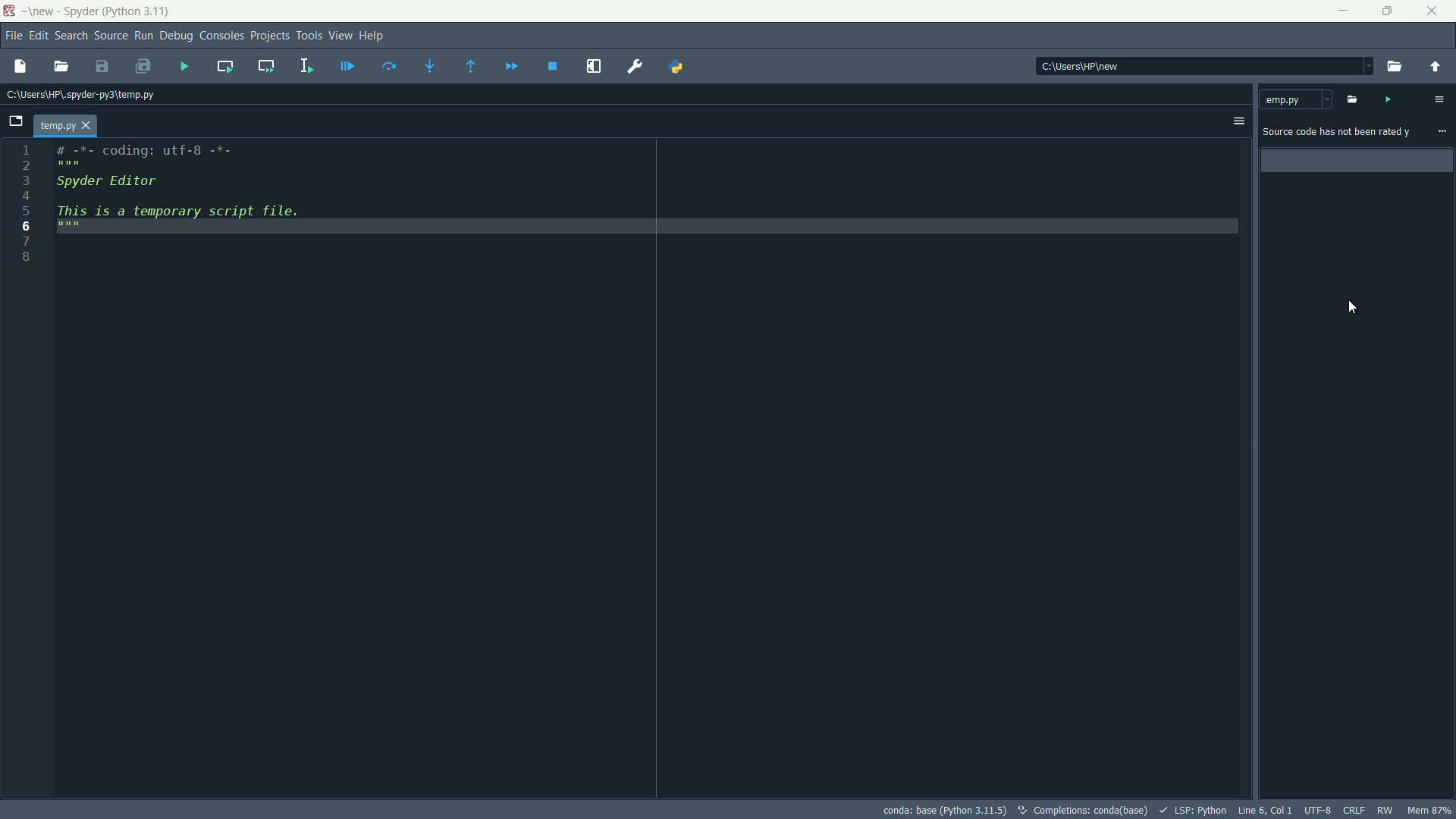 The height and width of the screenshot is (819, 1456). I want to click on file path: c:\users\hp\.spyder-py3\temp.py, so click(77, 94).